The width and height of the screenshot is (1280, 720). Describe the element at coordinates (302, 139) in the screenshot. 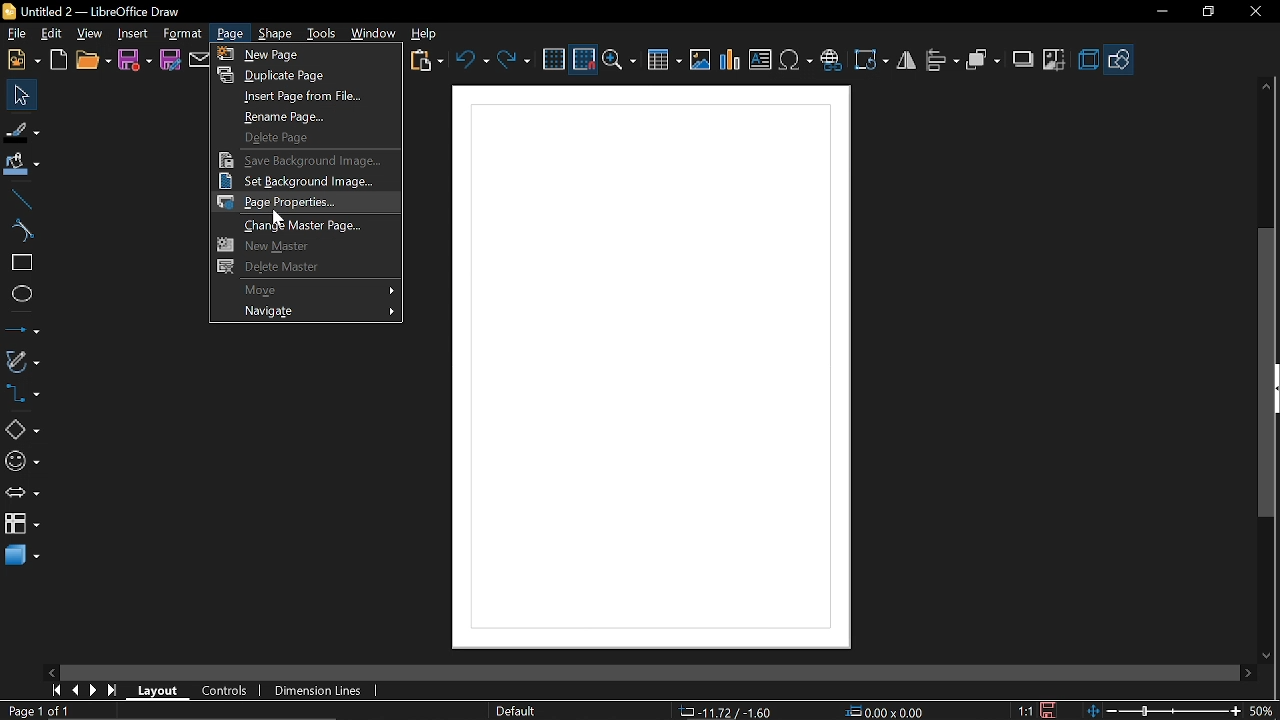

I see `Delete page` at that location.